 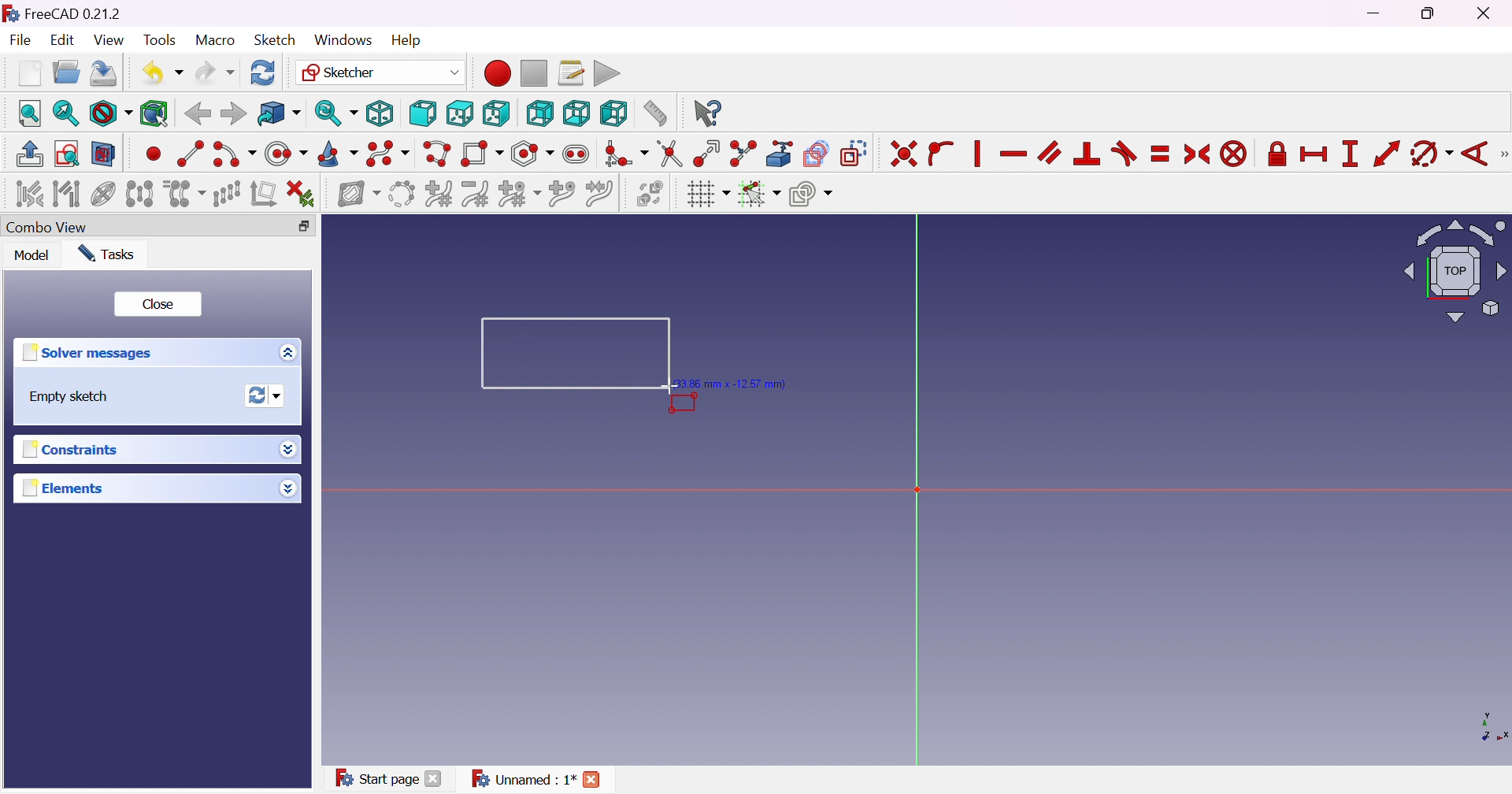 What do you see at coordinates (102, 76) in the screenshot?
I see `Save` at bounding box center [102, 76].